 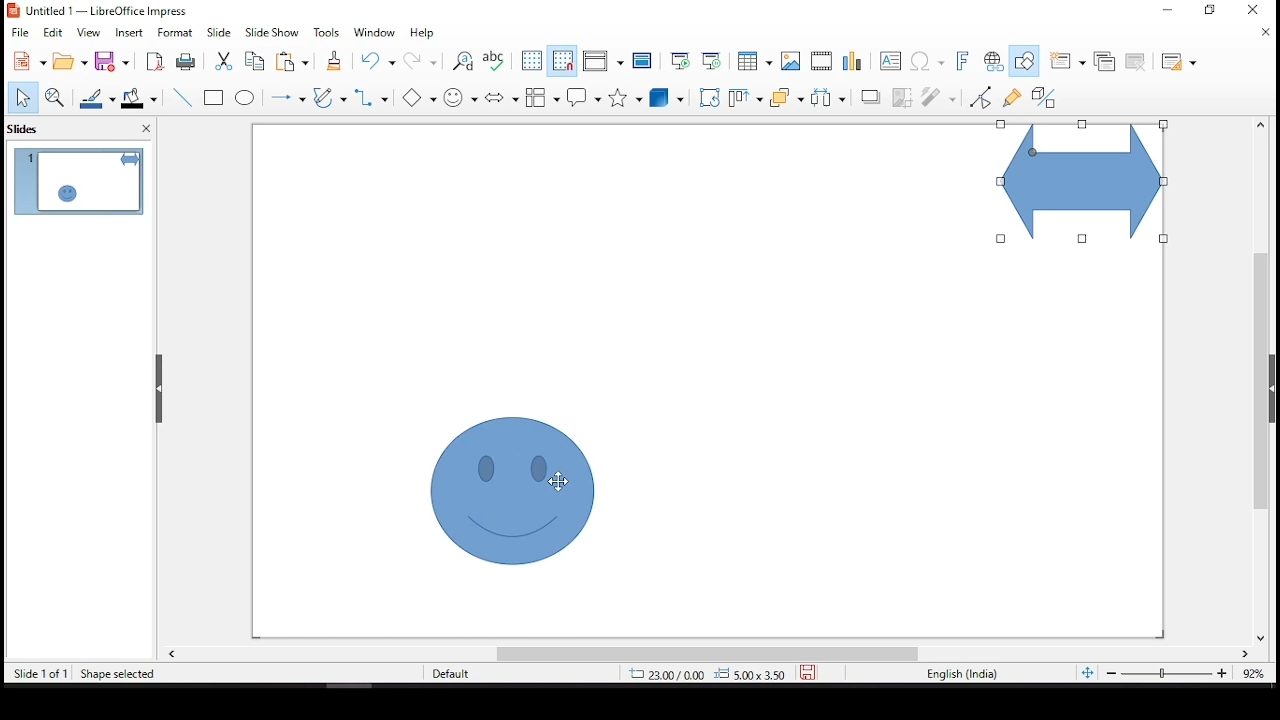 What do you see at coordinates (749, 673) in the screenshot?
I see `0.00x0.00` at bounding box center [749, 673].